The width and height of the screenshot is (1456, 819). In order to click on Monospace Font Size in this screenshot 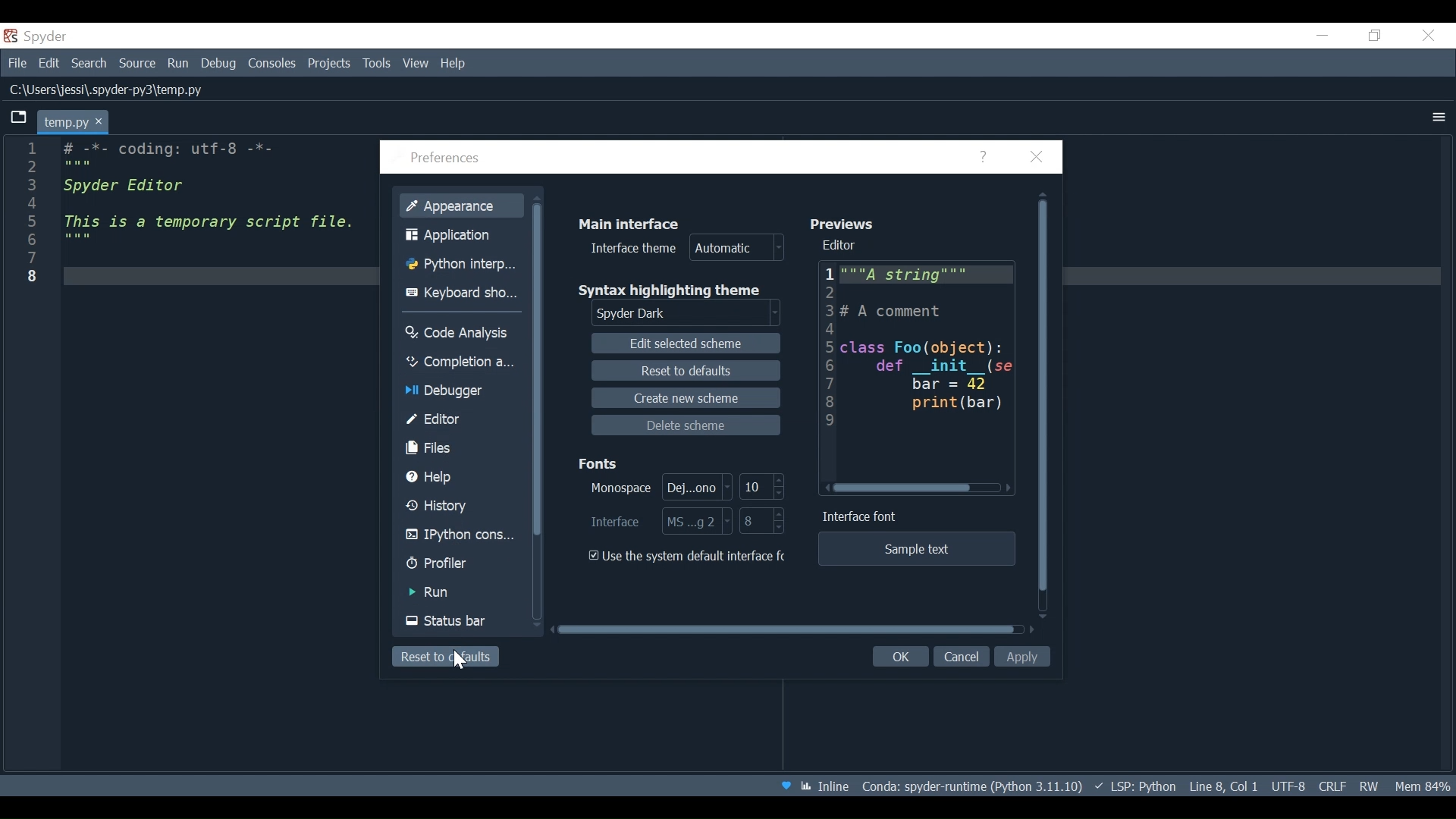, I will do `click(761, 485)`.